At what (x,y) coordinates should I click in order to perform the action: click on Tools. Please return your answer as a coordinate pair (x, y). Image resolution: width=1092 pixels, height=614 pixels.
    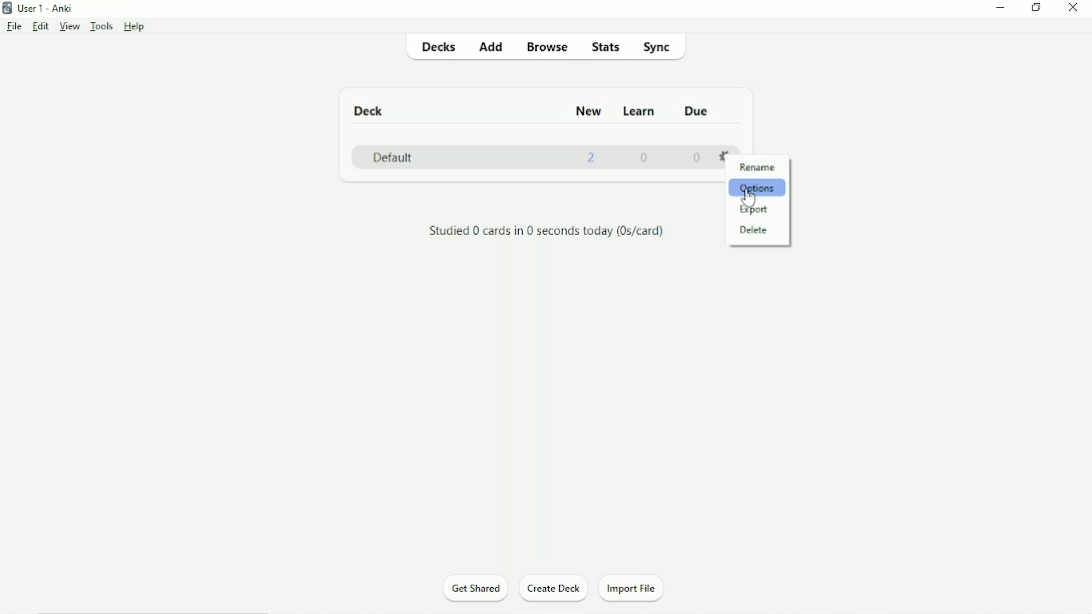
    Looking at the image, I should click on (101, 26).